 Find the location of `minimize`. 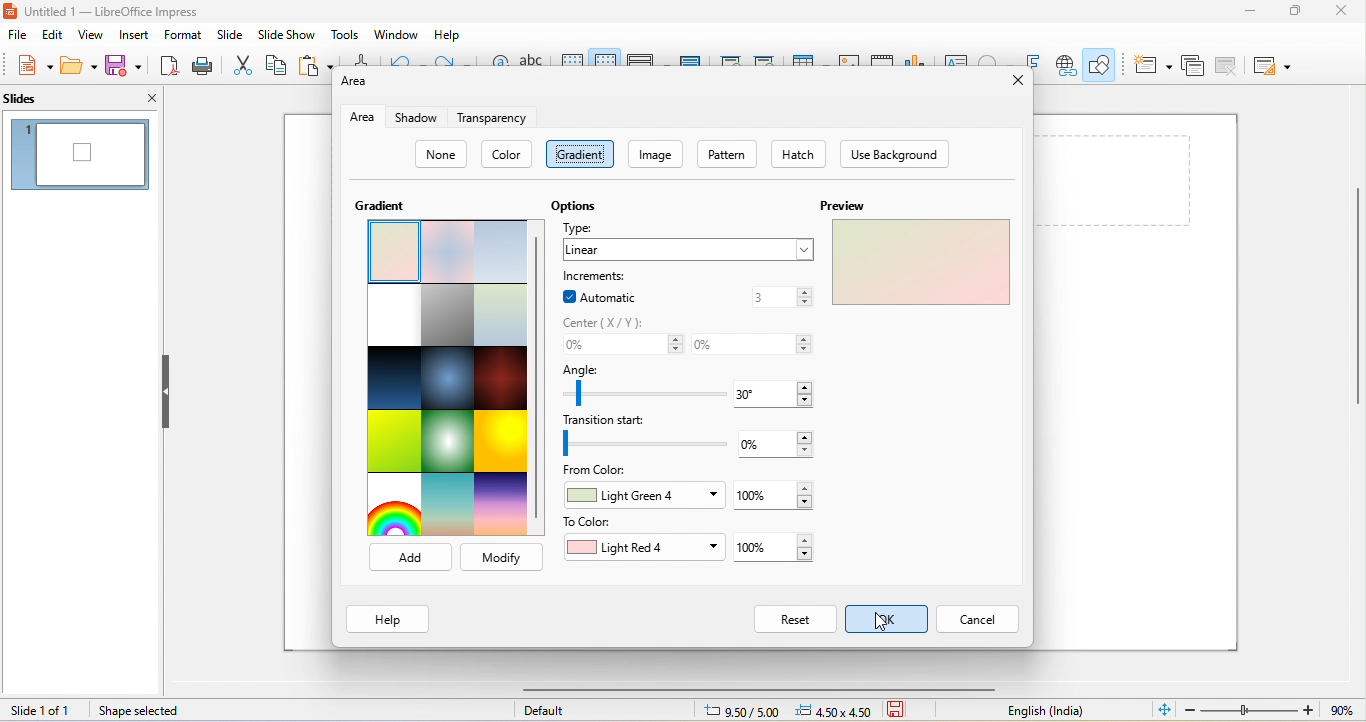

minimize is located at coordinates (1245, 12).